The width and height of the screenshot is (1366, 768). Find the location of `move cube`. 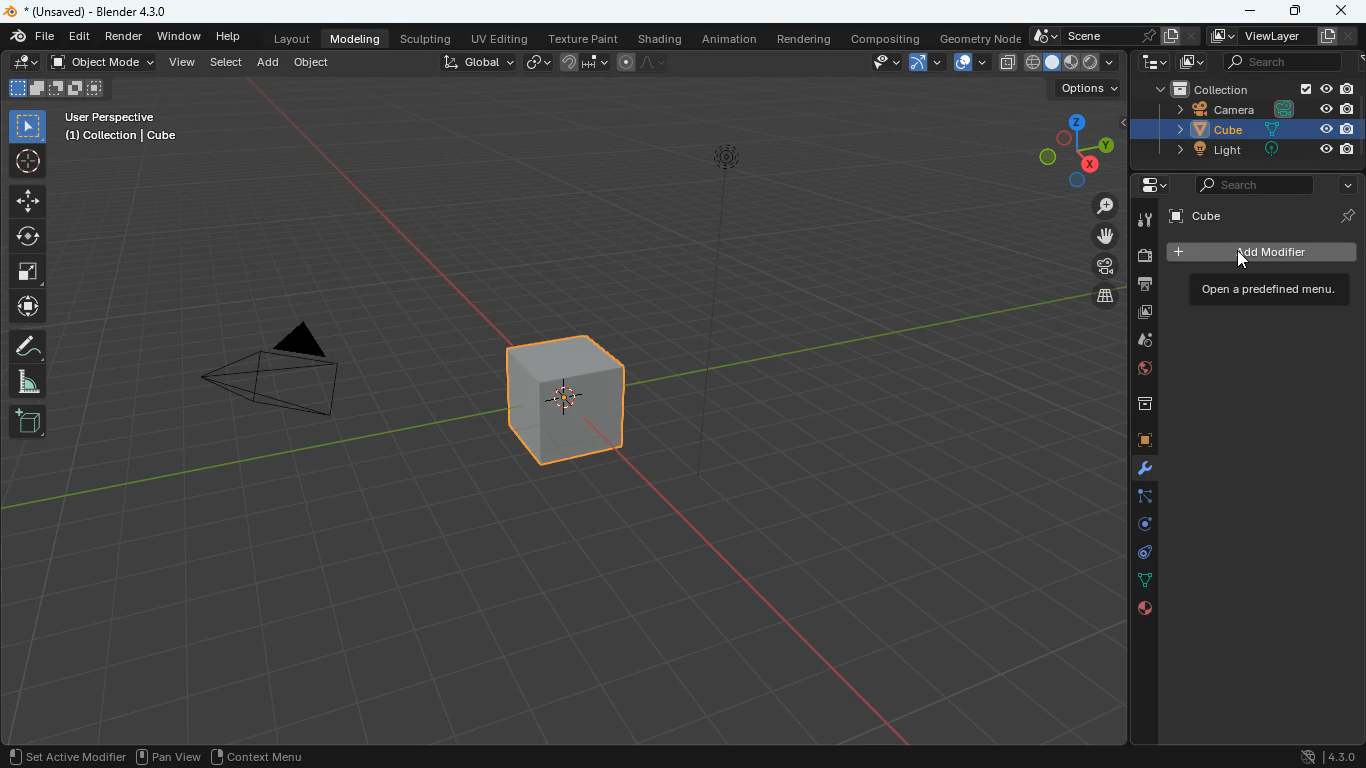

move cube is located at coordinates (28, 307).